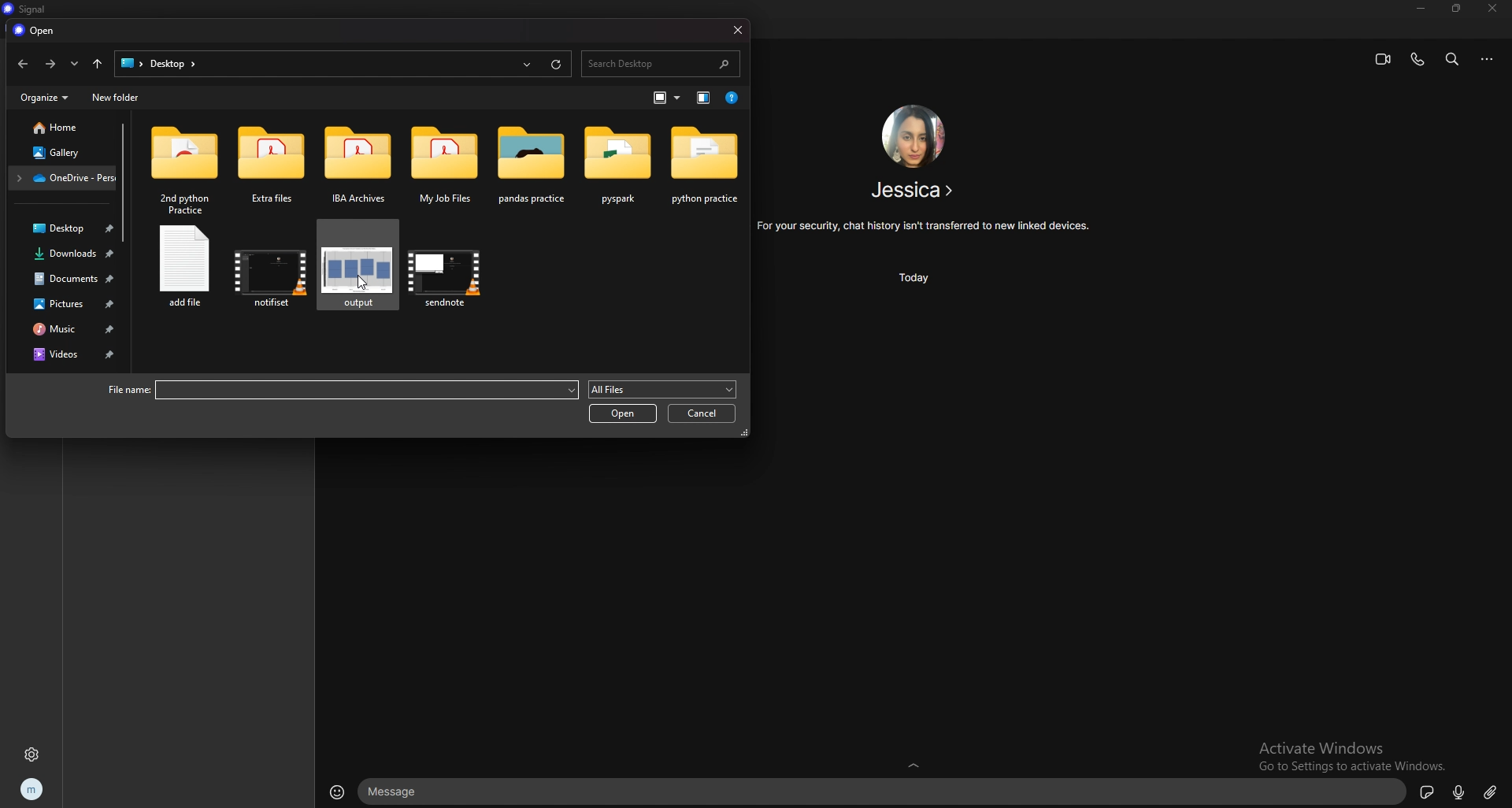 The width and height of the screenshot is (1512, 808). I want to click on video, so click(449, 275).